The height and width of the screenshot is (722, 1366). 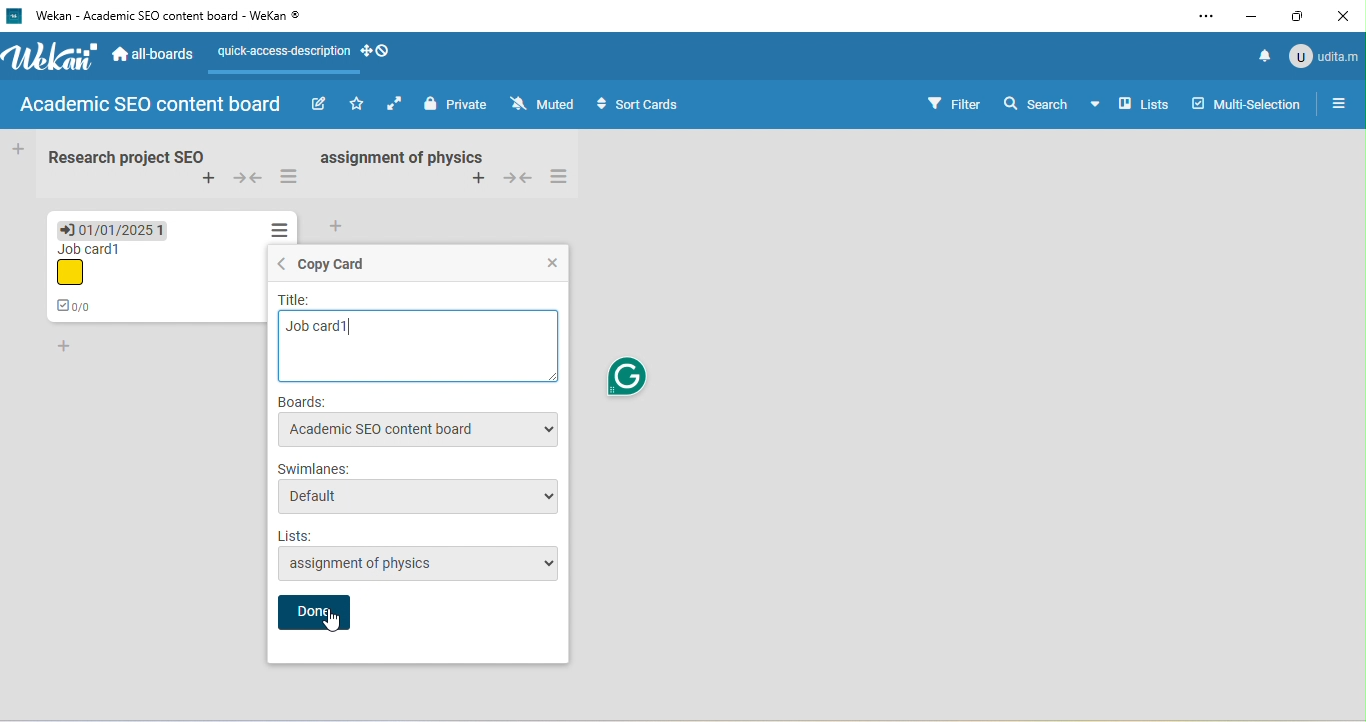 What do you see at coordinates (397, 104) in the screenshot?
I see `click to enable auto list width` at bounding box center [397, 104].